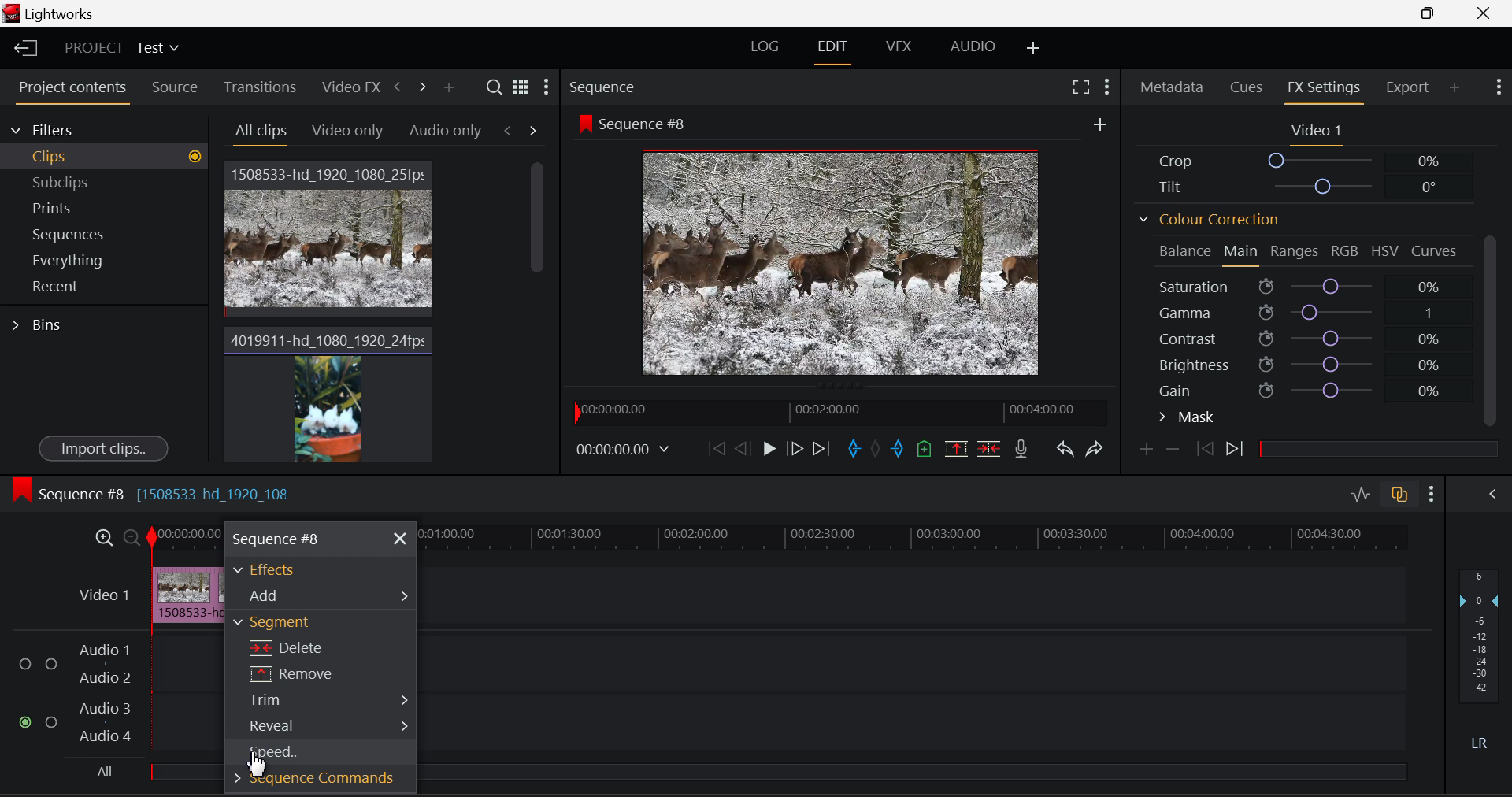  Describe the element at coordinates (260, 130) in the screenshot. I see `All Clips` at that location.